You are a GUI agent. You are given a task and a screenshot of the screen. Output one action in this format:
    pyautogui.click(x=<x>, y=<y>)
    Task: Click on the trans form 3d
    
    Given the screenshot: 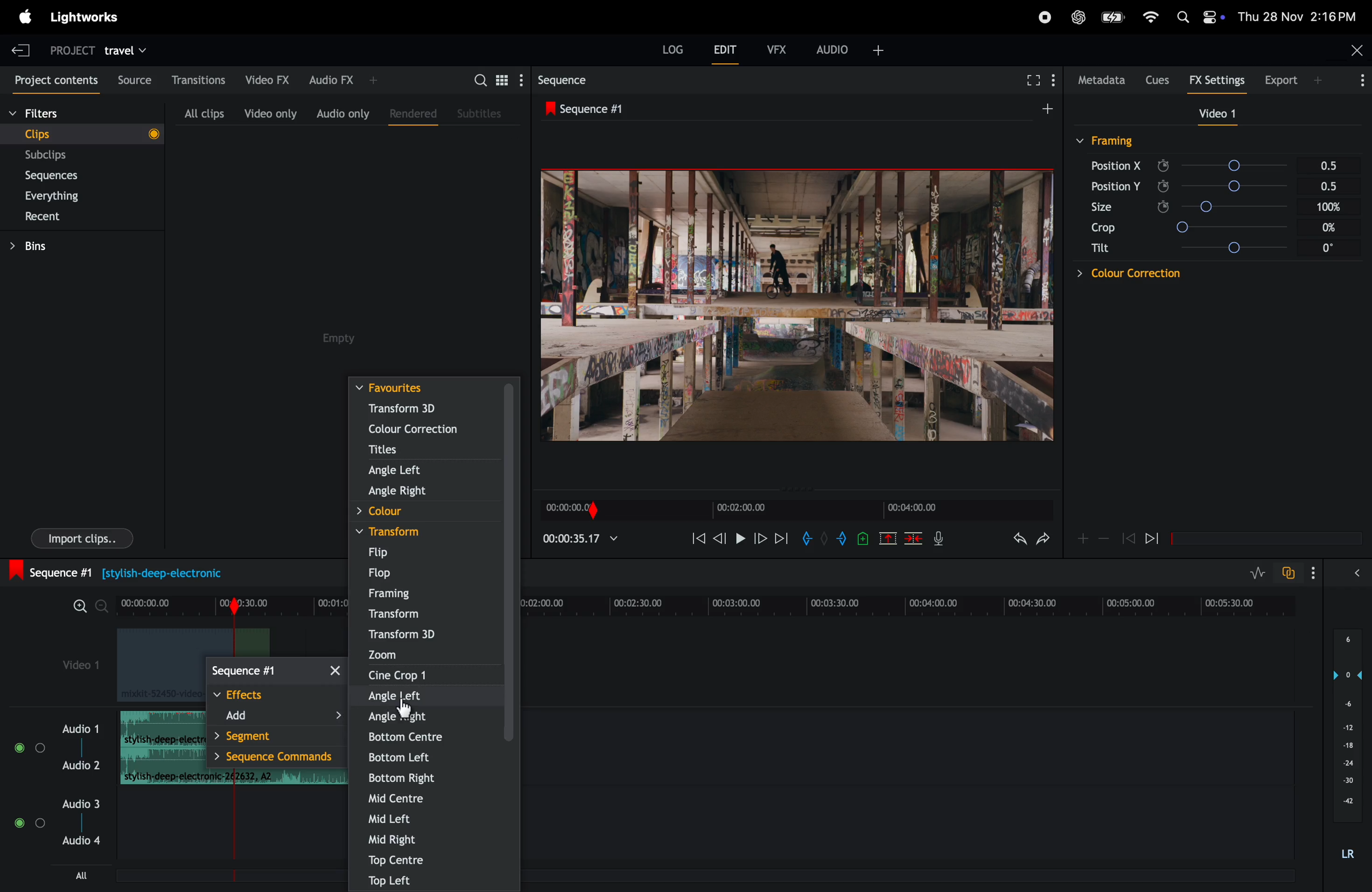 What is the action you would take?
    pyautogui.click(x=416, y=409)
    